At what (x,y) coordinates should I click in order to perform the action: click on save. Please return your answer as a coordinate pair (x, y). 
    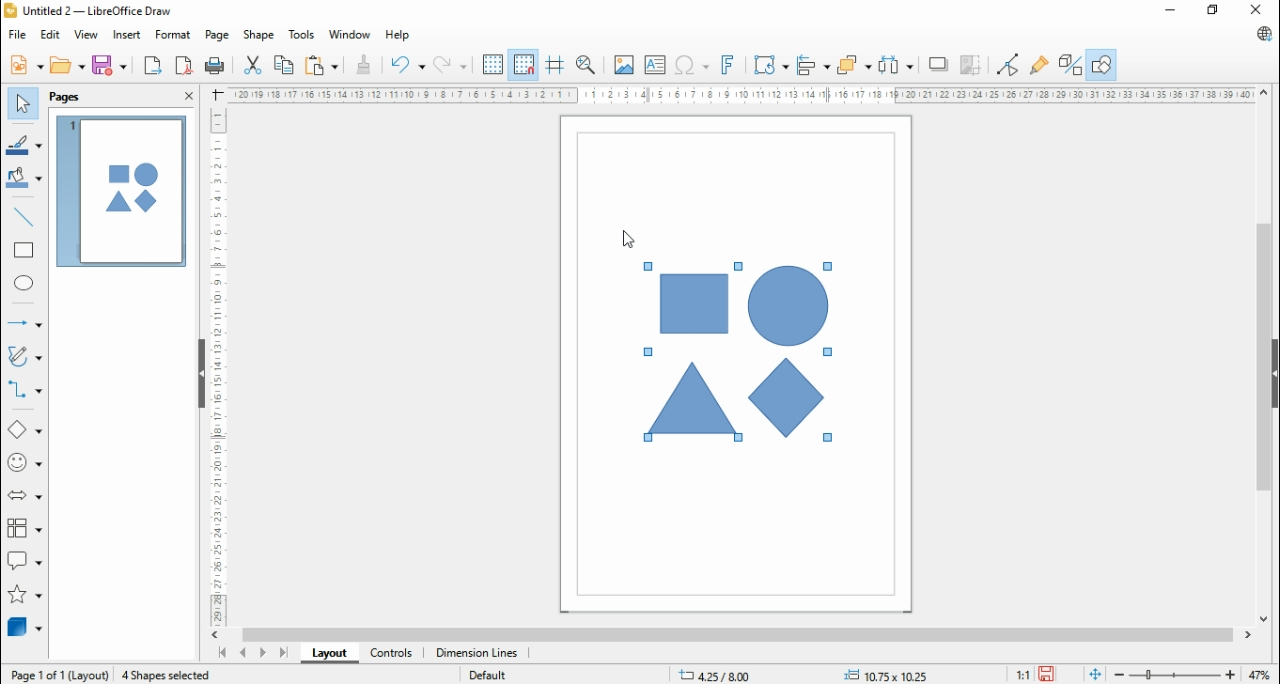
    Looking at the image, I should click on (1046, 674).